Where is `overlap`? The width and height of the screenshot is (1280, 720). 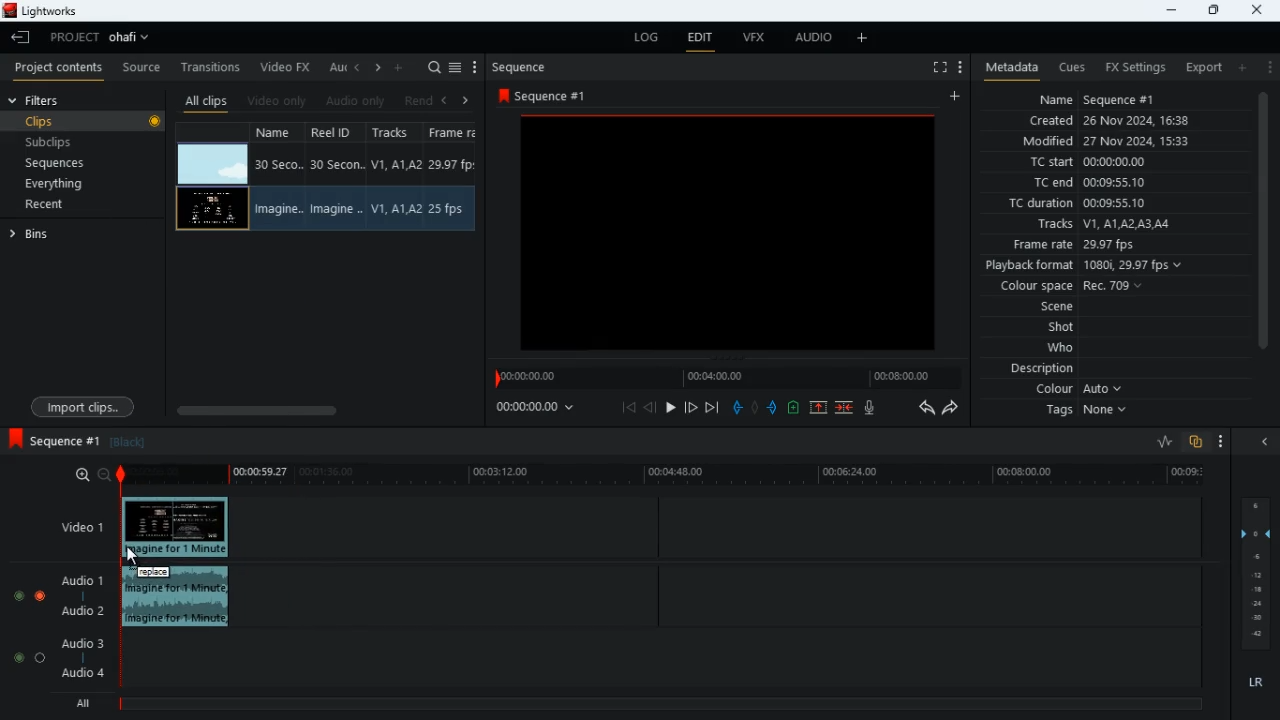
overlap is located at coordinates (1193, 442).